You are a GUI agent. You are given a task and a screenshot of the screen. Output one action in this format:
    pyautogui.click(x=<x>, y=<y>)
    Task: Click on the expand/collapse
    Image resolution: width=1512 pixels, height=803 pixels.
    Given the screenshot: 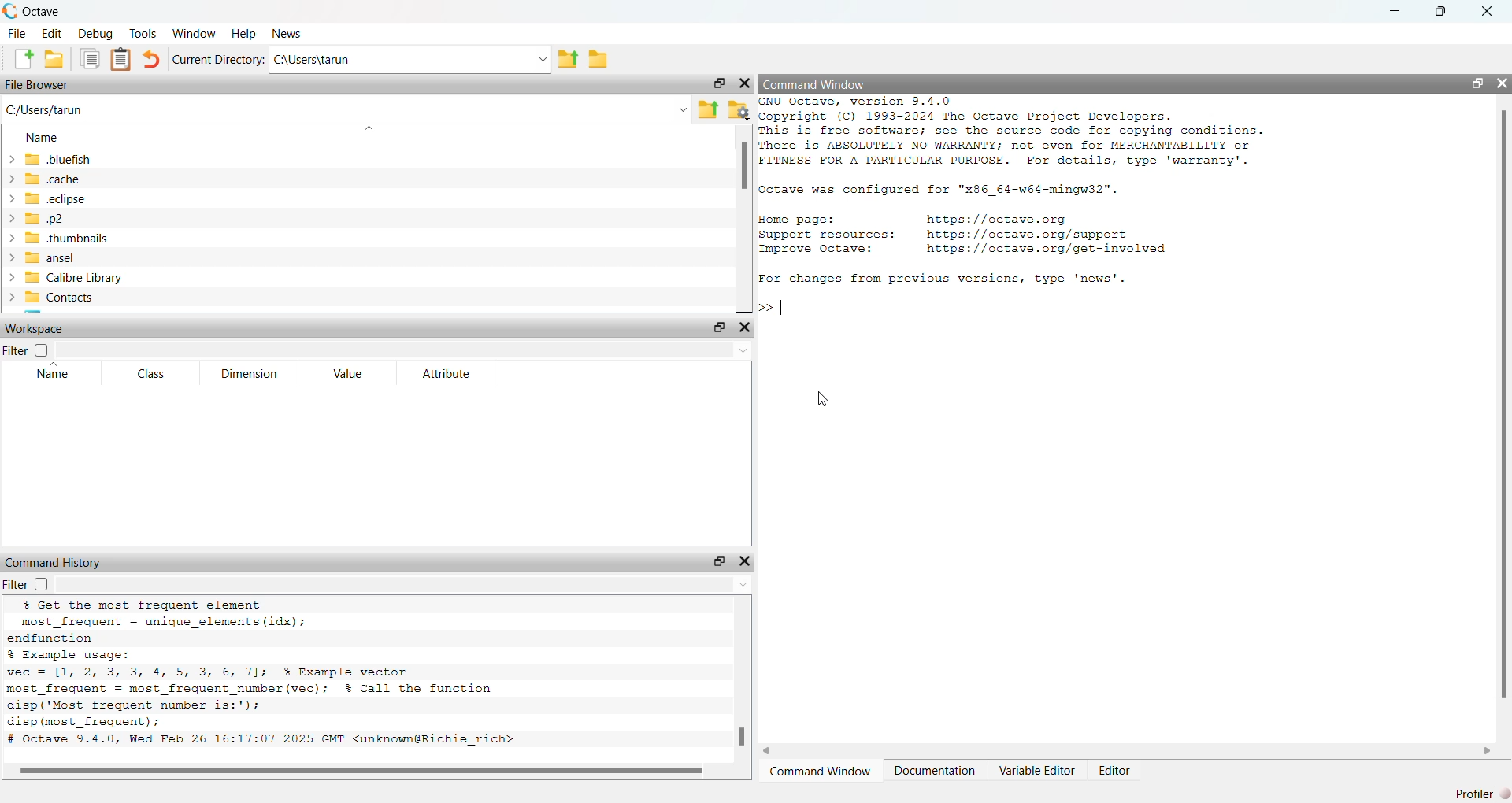 What is the action you would take?
    pyautogui.click(x=10, y=298)
    